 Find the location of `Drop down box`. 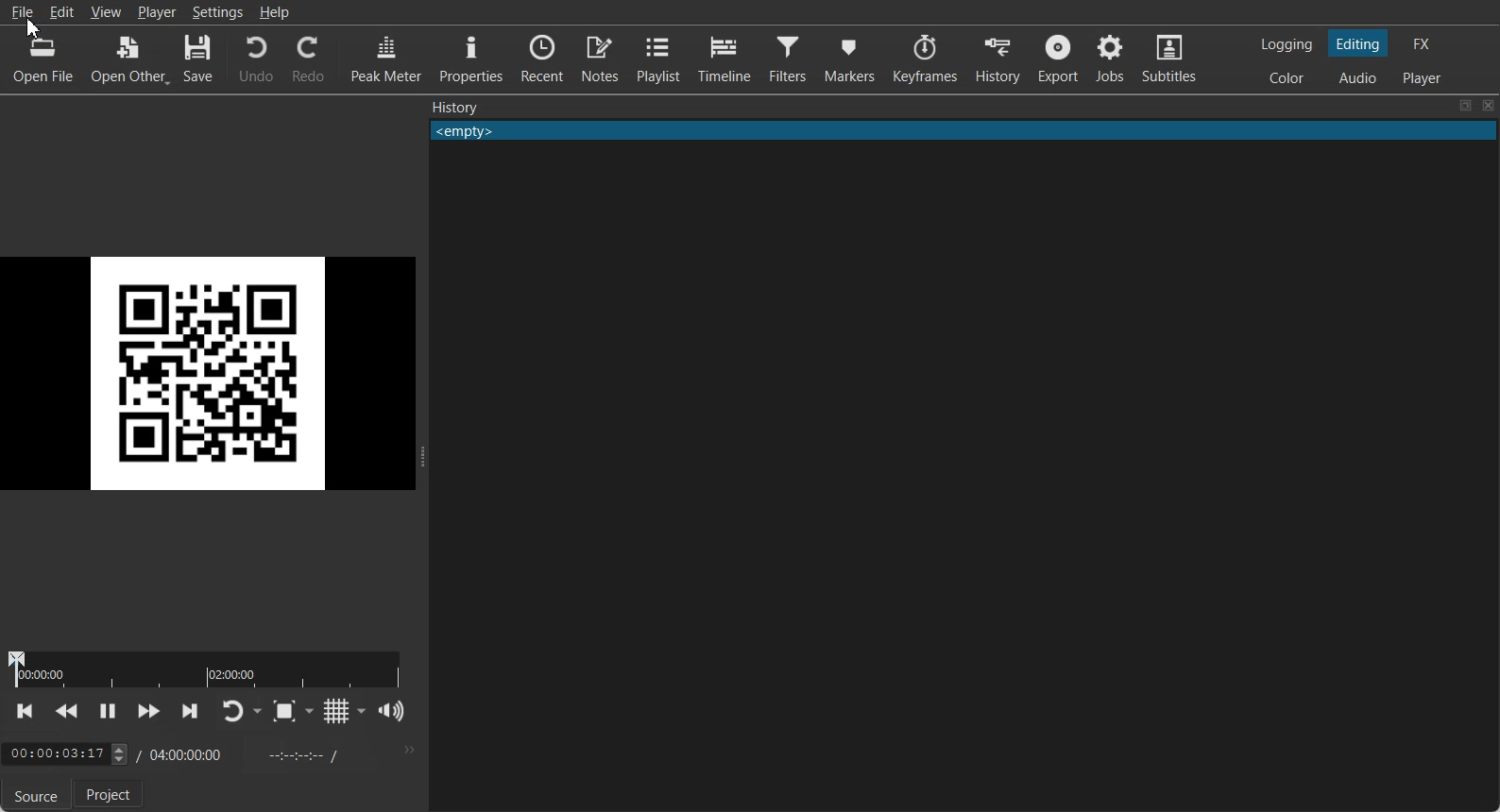

Drop down box is located at coordinates (362, 710).